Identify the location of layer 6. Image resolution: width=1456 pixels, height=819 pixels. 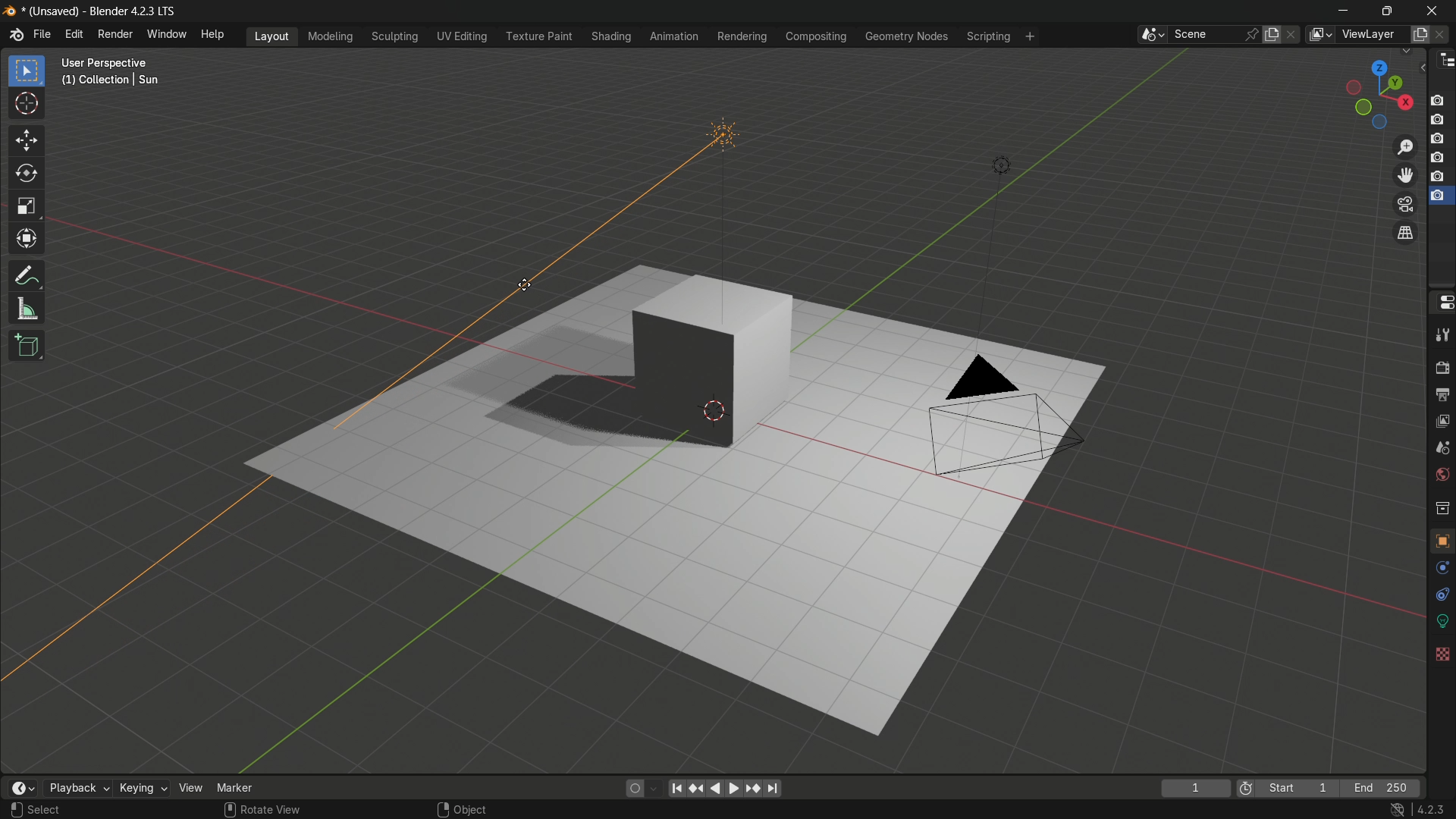
(1437, 196).